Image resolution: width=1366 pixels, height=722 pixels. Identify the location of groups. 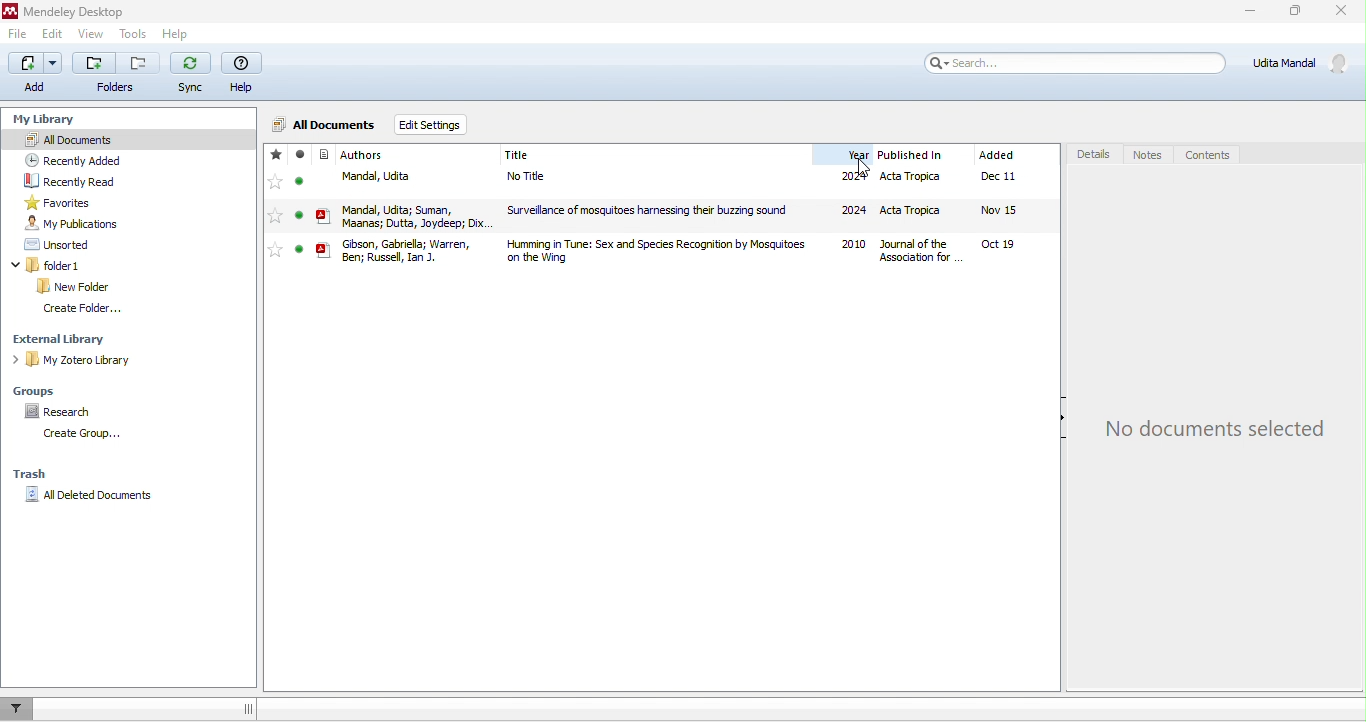
(34, 390).